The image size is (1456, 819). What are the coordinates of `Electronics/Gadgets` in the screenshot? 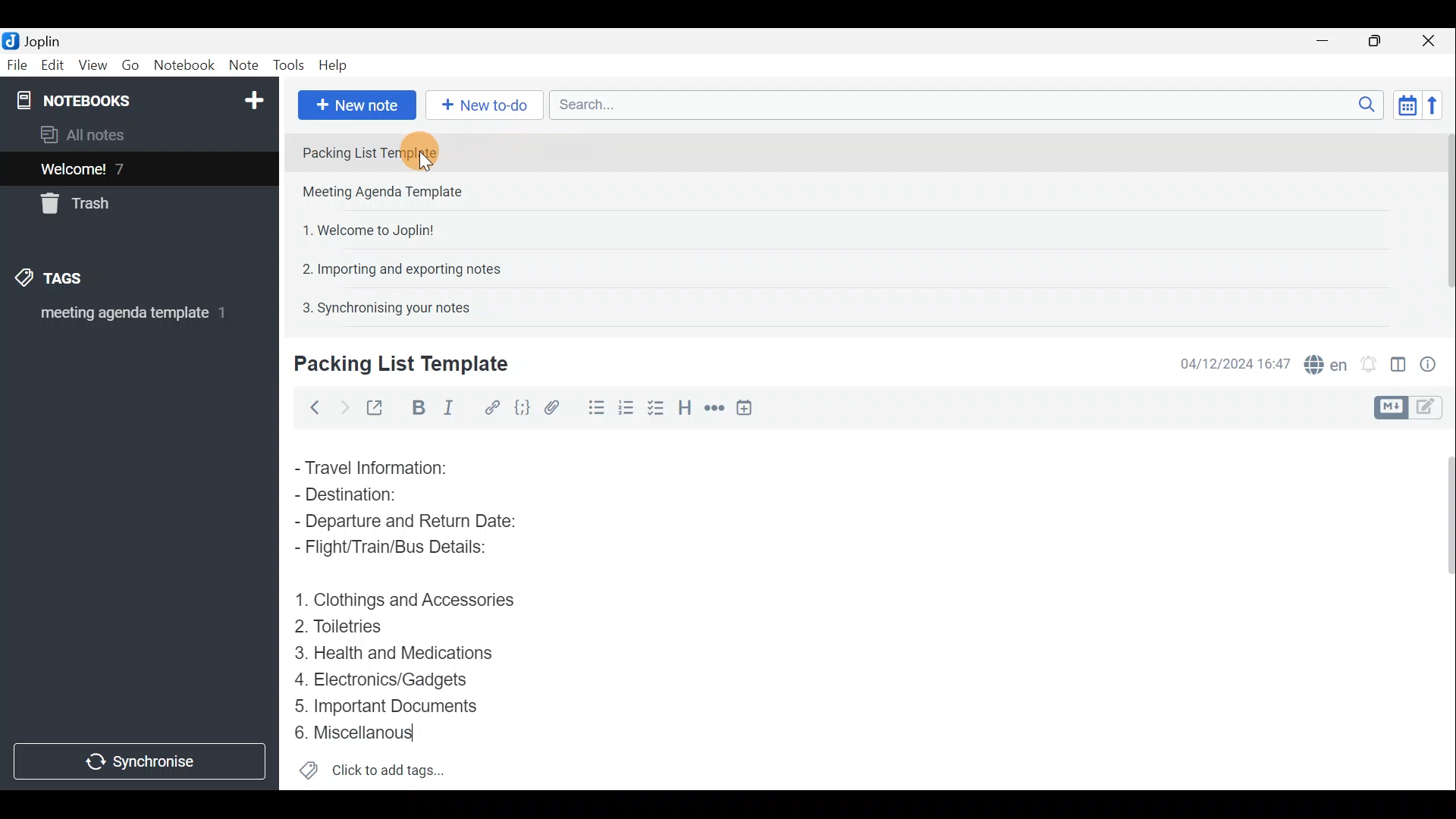 It's located at (388, 679).